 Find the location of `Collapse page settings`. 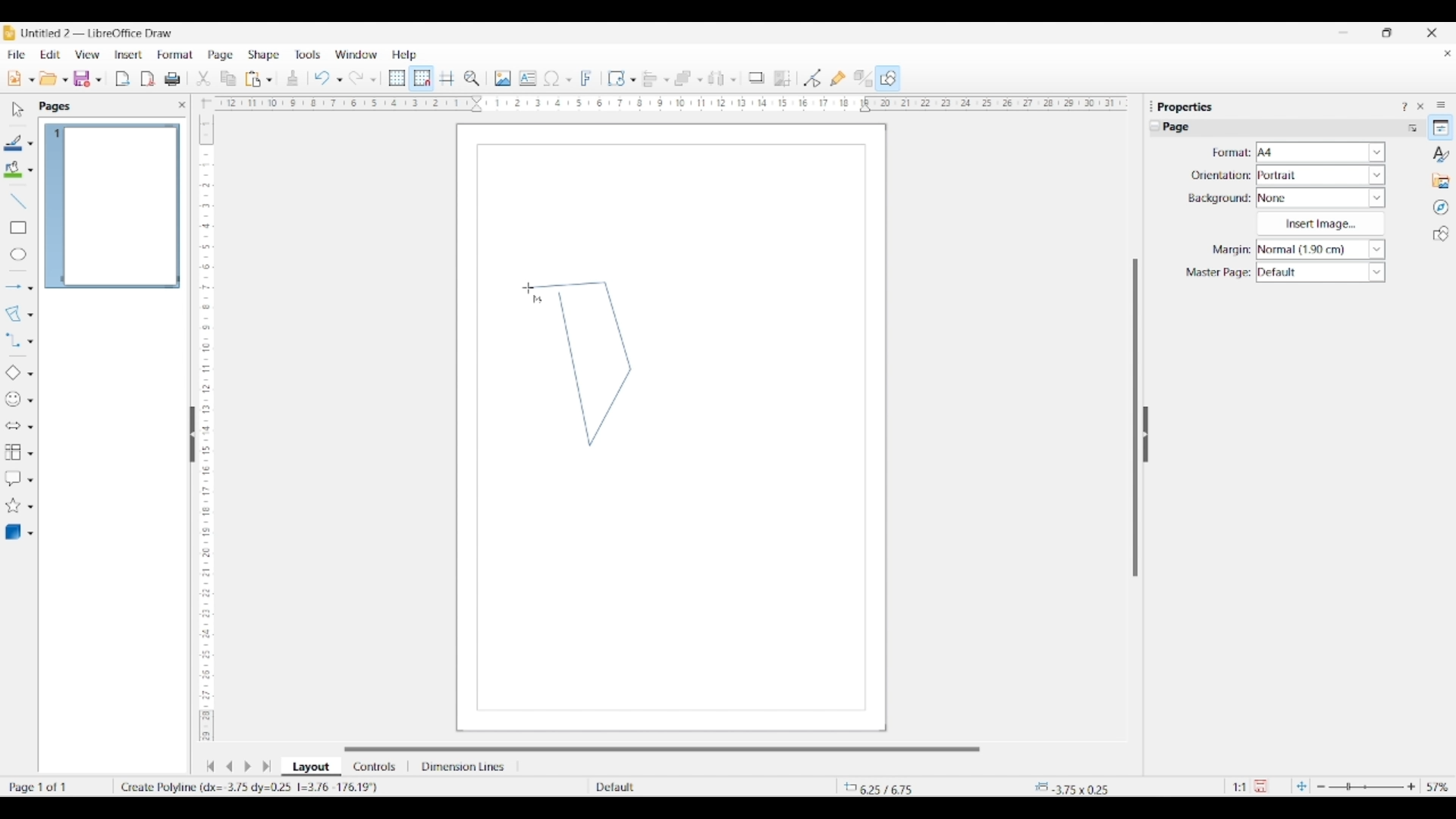

Collapse page settings is located at coordinates (1155, 126).